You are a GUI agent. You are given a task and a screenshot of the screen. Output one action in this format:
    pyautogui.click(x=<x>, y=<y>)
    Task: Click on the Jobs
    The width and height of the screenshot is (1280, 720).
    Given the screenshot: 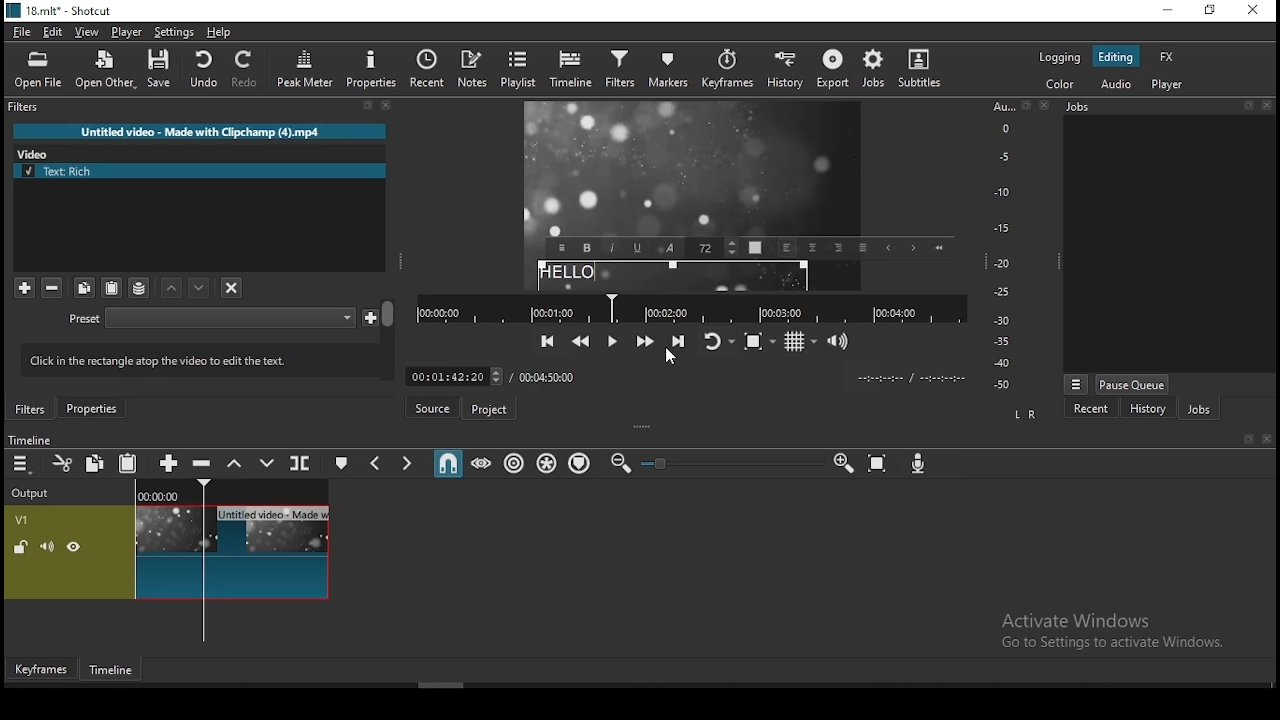 What is the action you would take?
    pyautogui.click(x=1078, y=107)
    